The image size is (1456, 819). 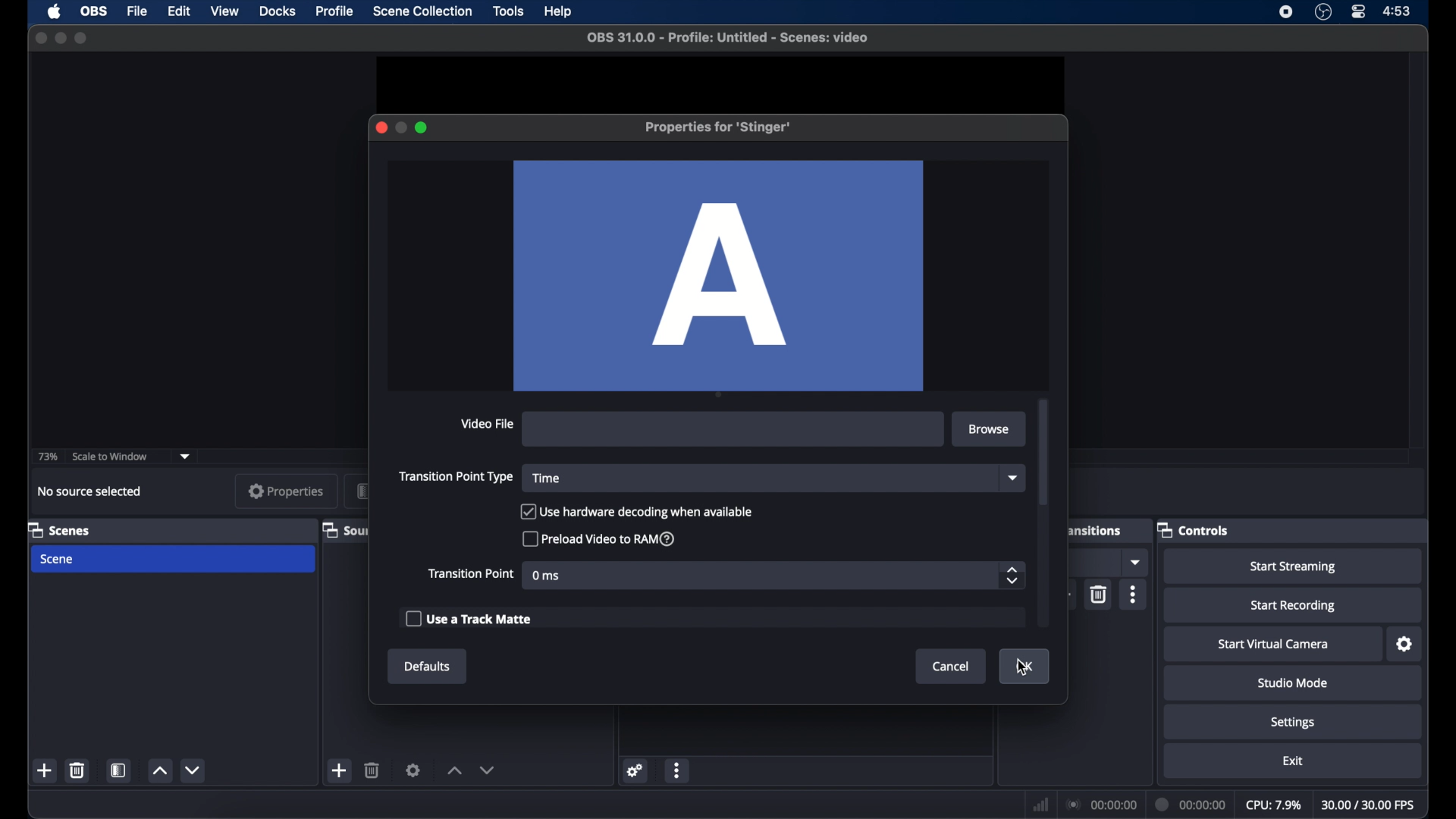 I want to click on dropdown, so click(x=1137, y=562).